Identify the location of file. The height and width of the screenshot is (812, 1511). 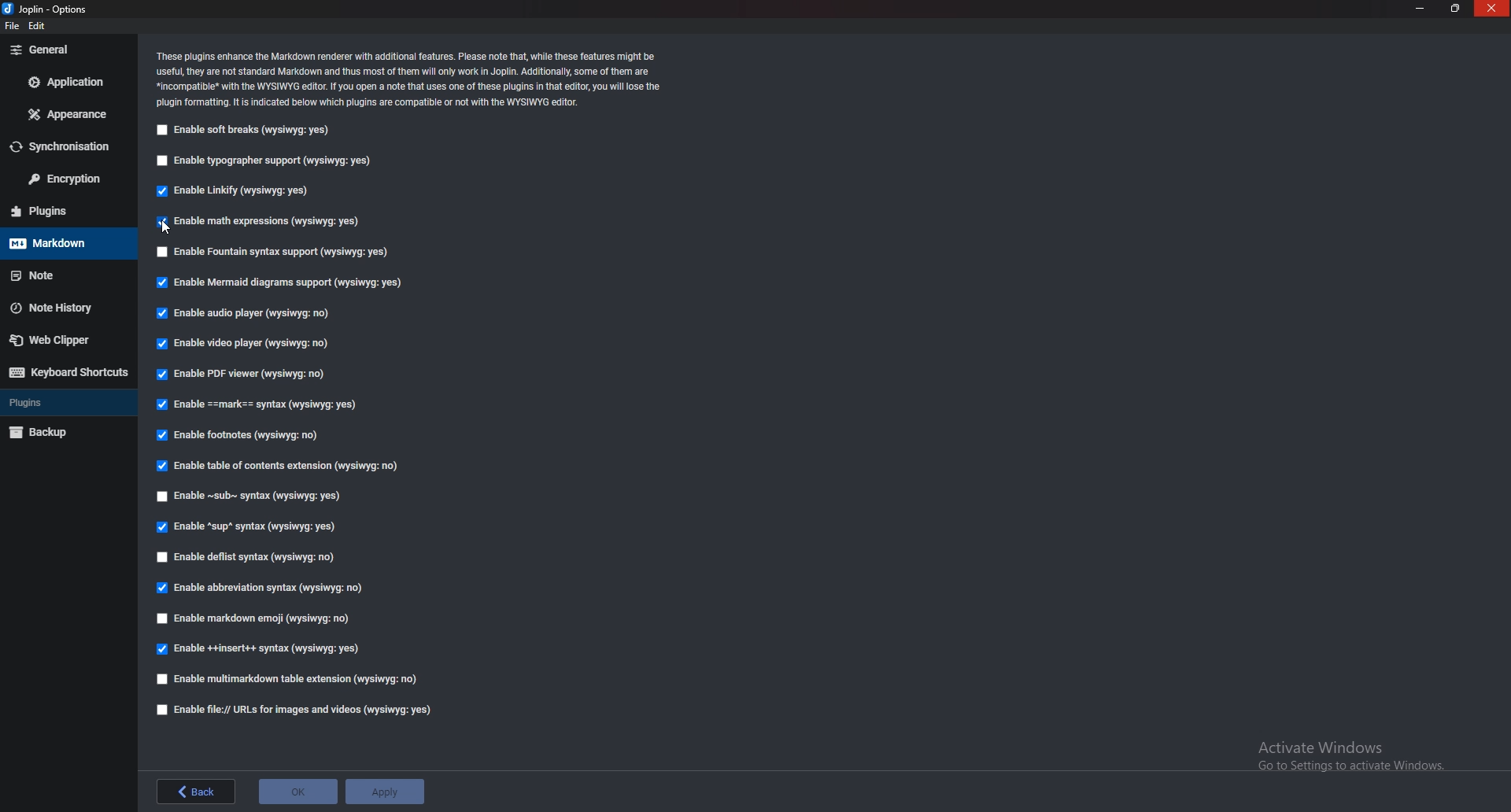
(11, 29).